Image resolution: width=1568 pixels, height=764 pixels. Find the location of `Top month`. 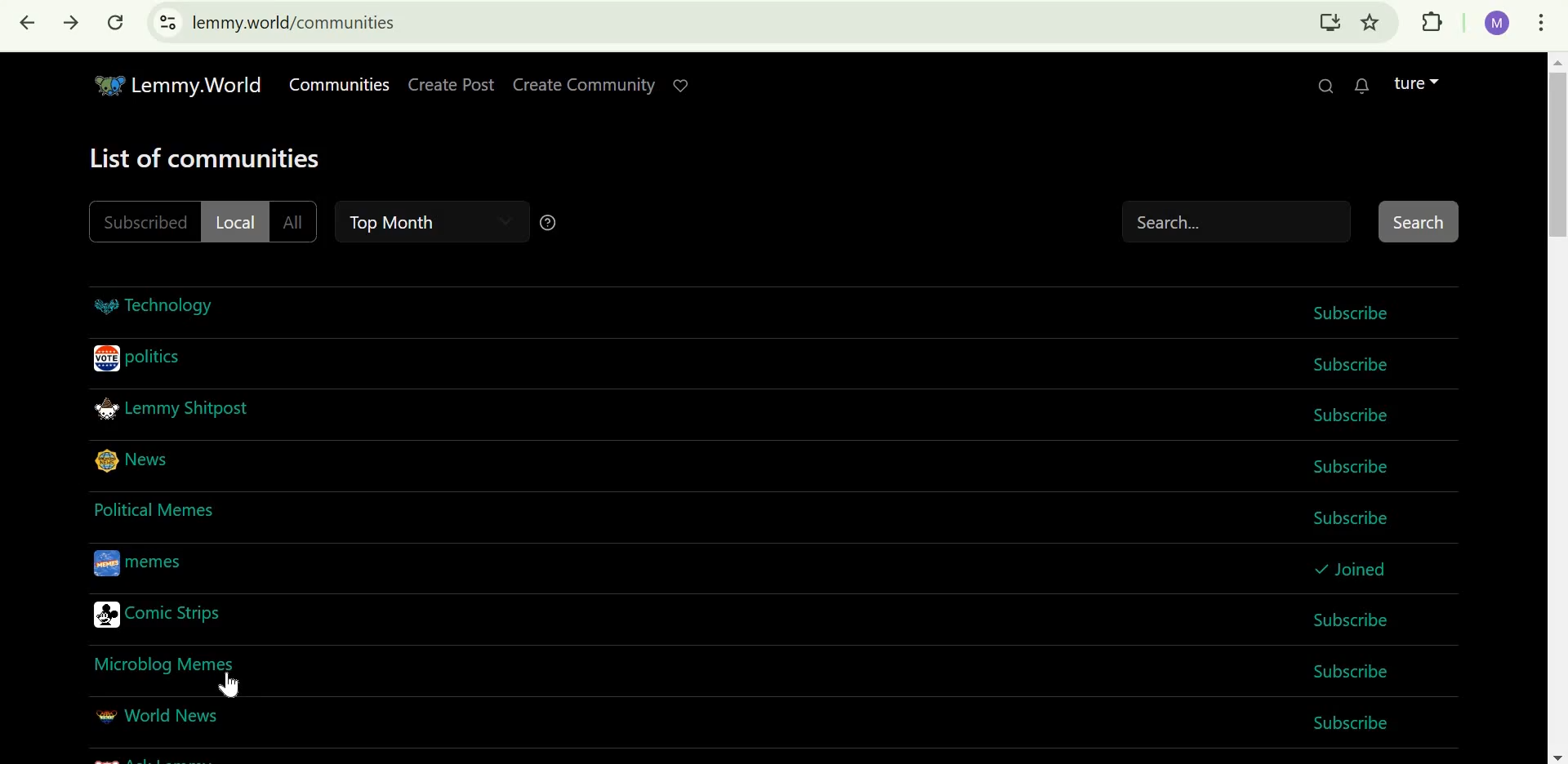

Top month is located at coordinates (403, 222).